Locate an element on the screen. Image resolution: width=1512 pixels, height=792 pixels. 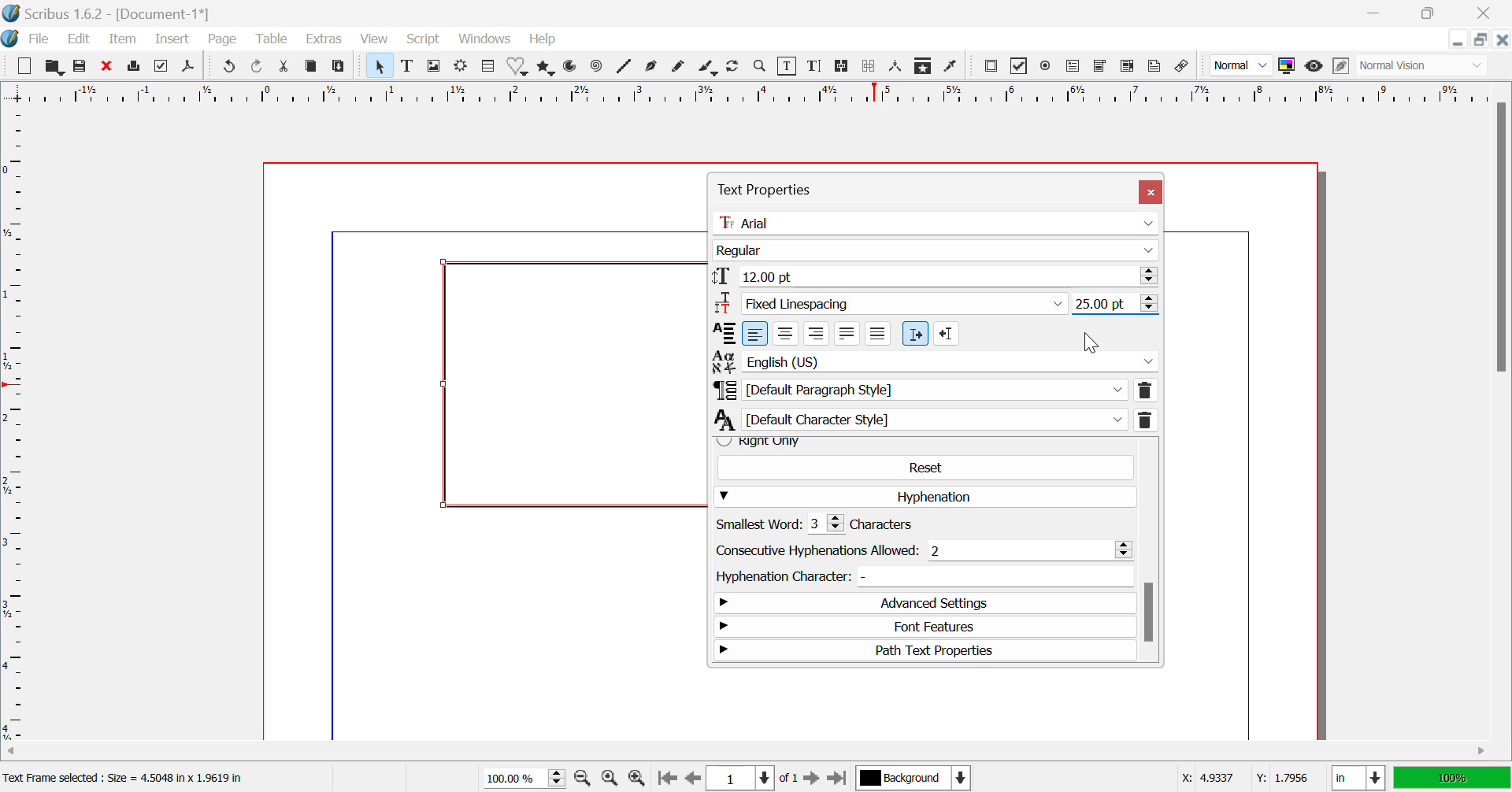
Left to right paragraph is located at coordinates (915, 334).